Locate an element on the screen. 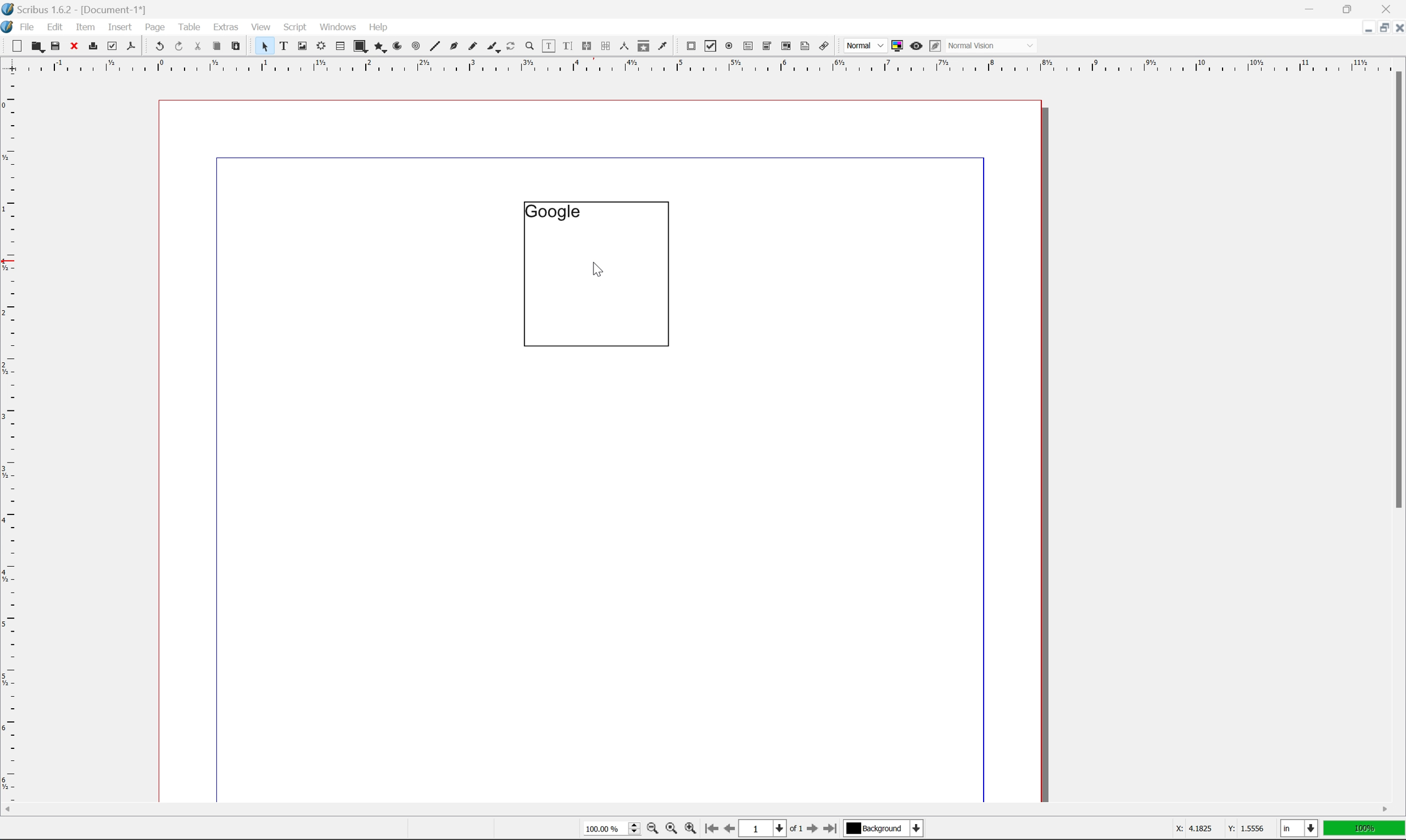 The image size is (1406, 840). mouse pointer is located at coordinates (596, 271).